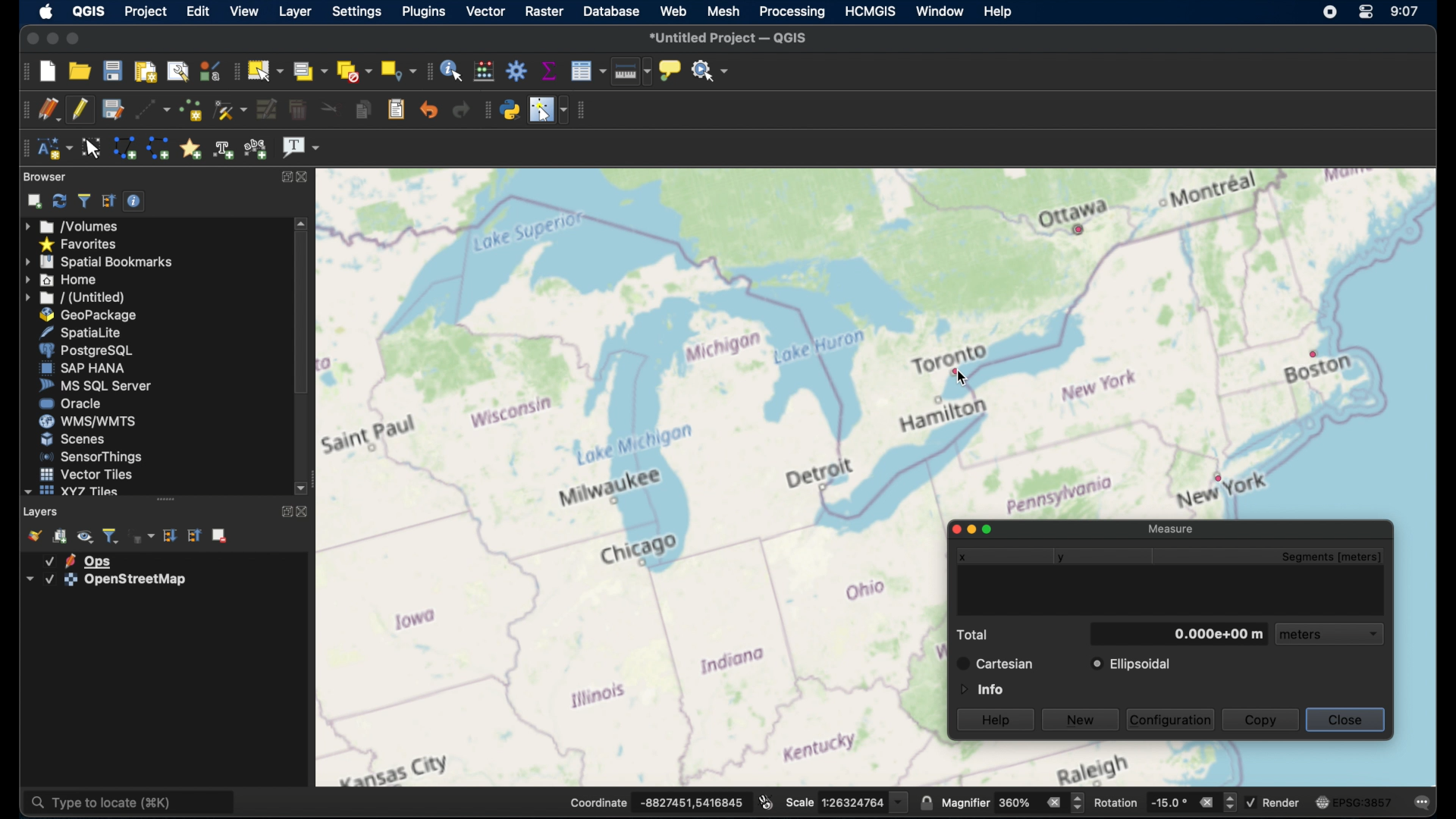 The height and width of the screenshot is (819, 1456). I want to click on render, so click(1276, 802).